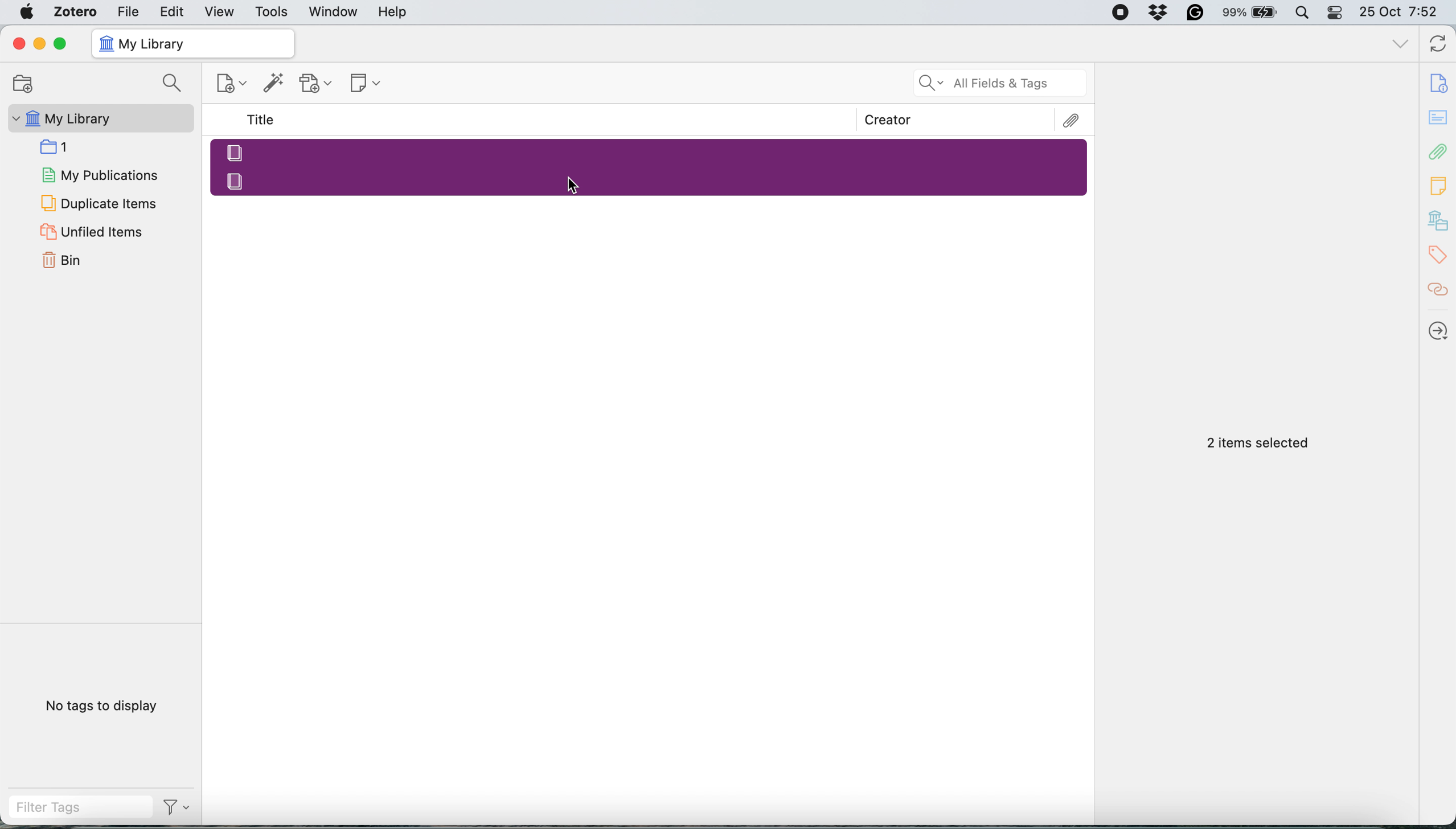 Image resolution: width=1456 pixels, height=829 pixels. Describe the element at coordinates (105, 708) in the screenshot. I see `No tags to display` at that location.